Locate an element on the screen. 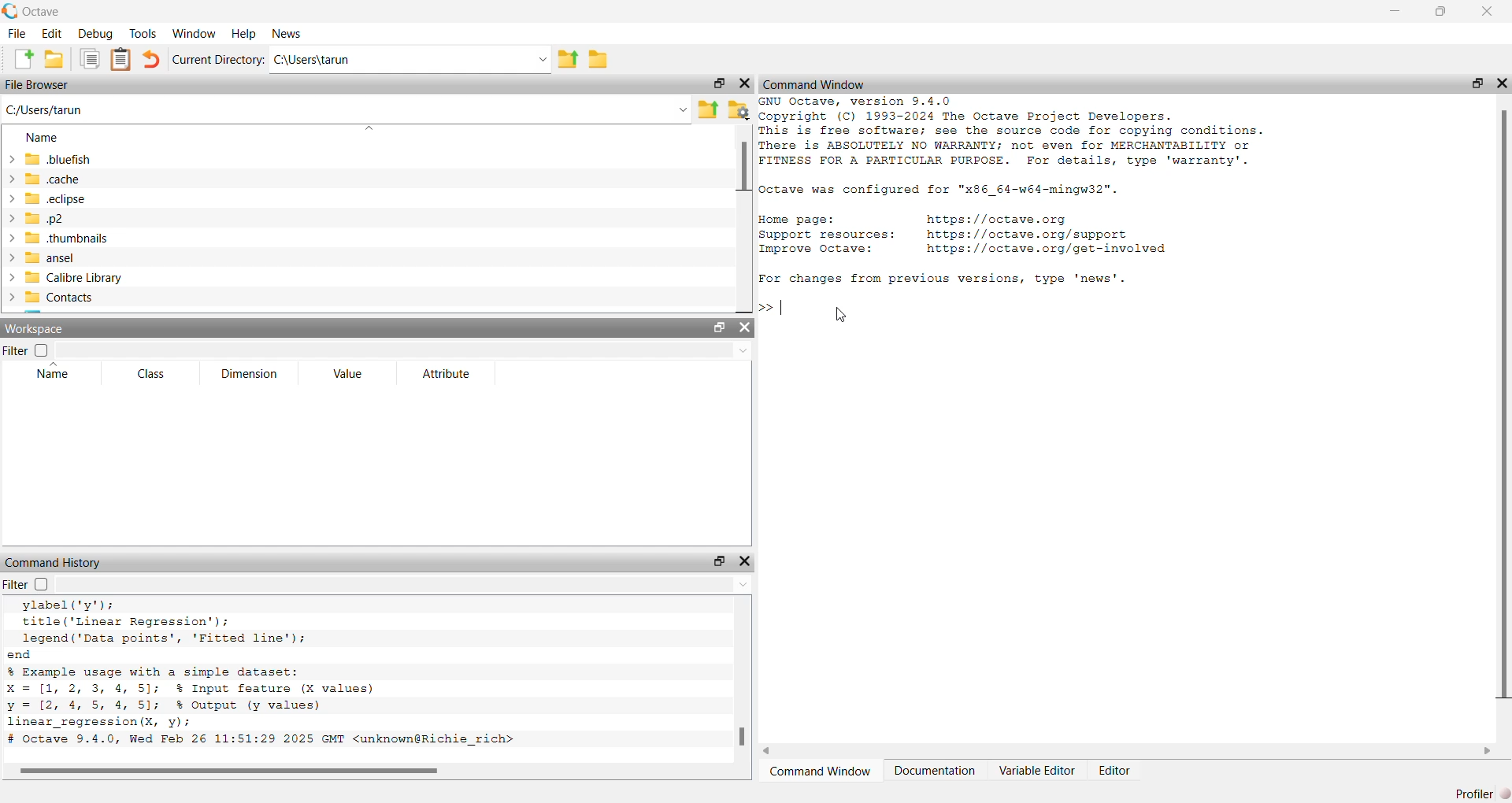  .cache is located at coordinates (76, 178).